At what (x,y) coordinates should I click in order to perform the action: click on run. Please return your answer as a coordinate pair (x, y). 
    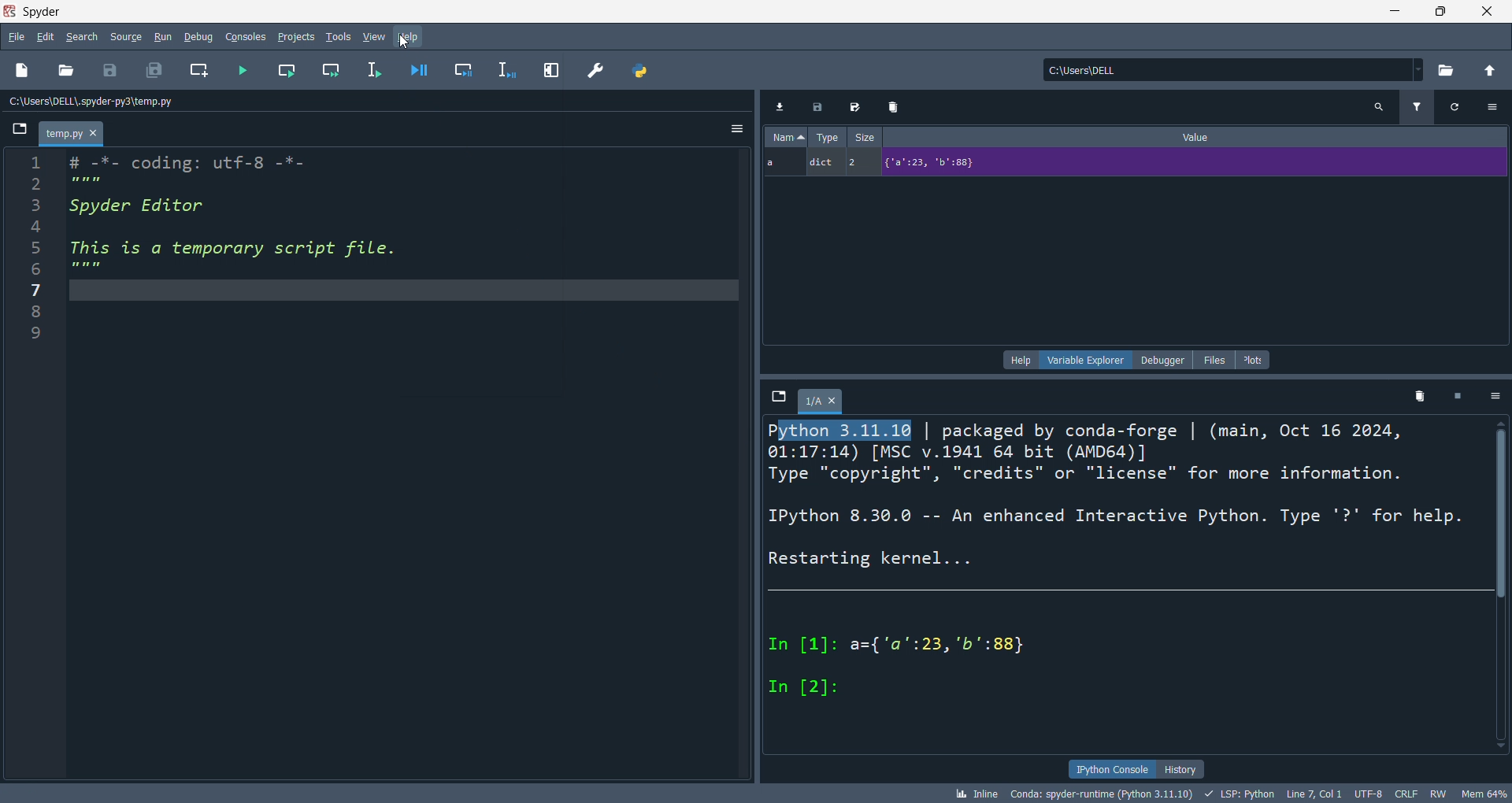
    Looking at the image, I should click on (161, 37).